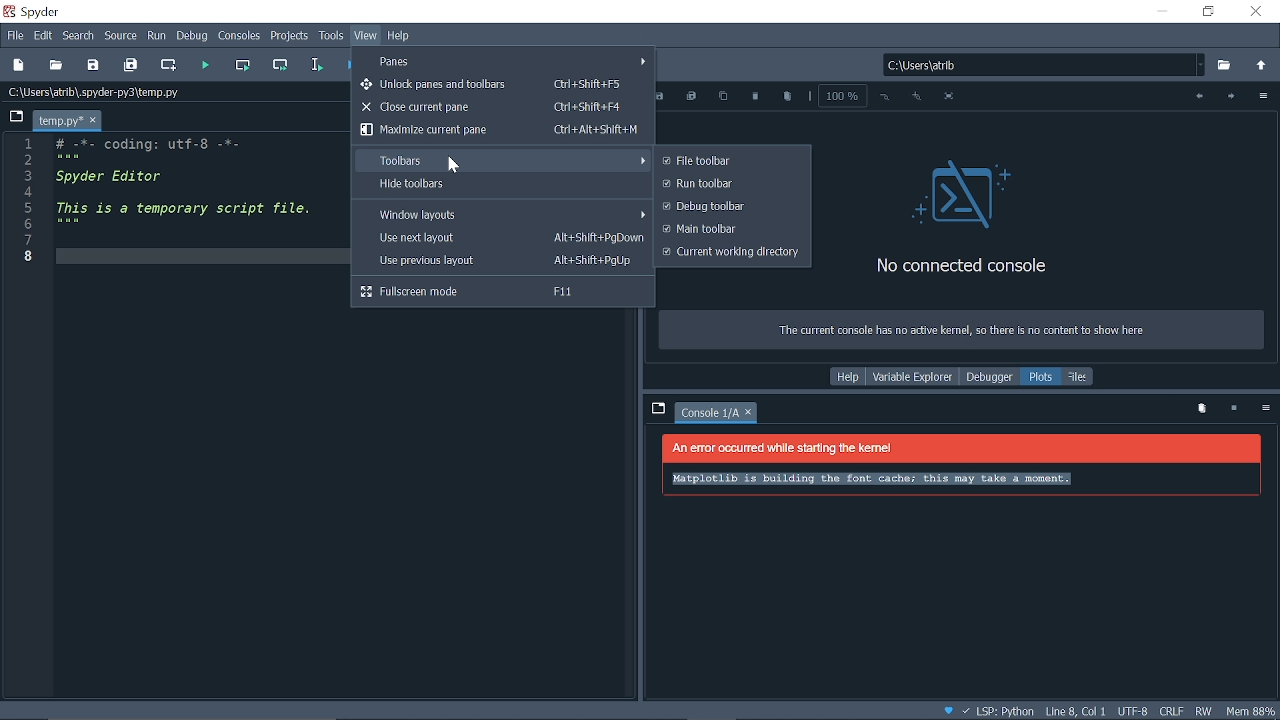 This screenshot has height=720, width=1280. I want to click on Completions, linting and code folding status, so click(989, 712).